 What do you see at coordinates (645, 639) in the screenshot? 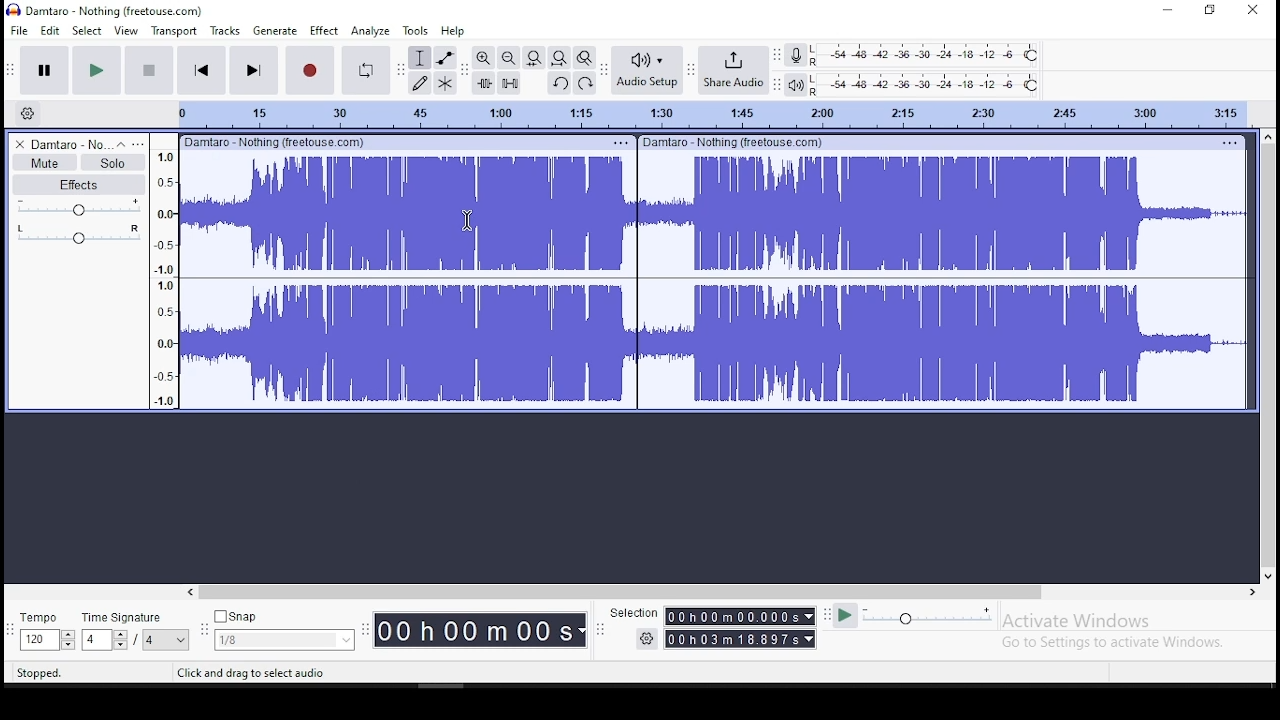
I see `settings` at bounding box center [645, 639].